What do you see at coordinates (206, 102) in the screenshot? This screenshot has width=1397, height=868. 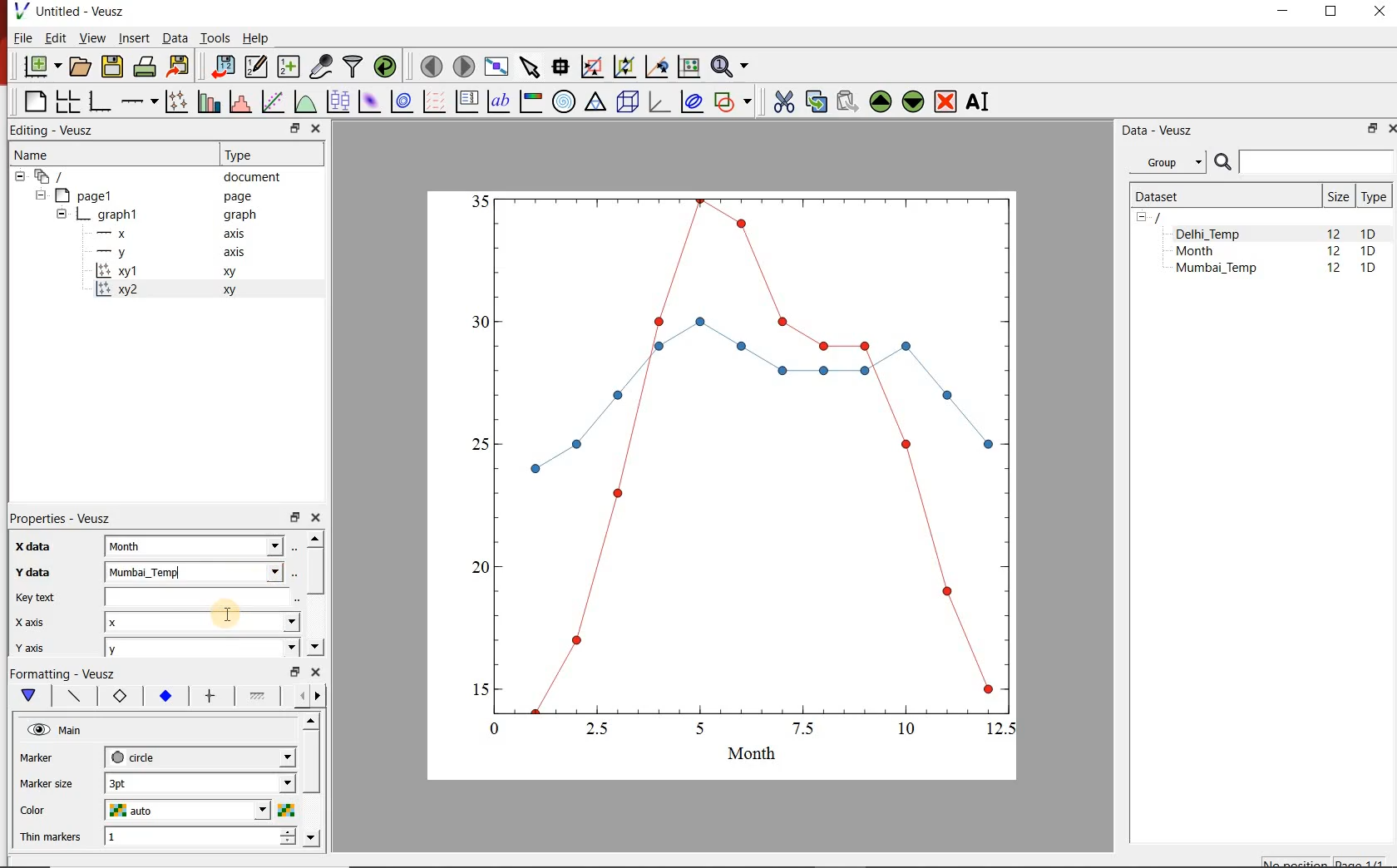 I see `plot bar charts` at bounding box center [206, 102].